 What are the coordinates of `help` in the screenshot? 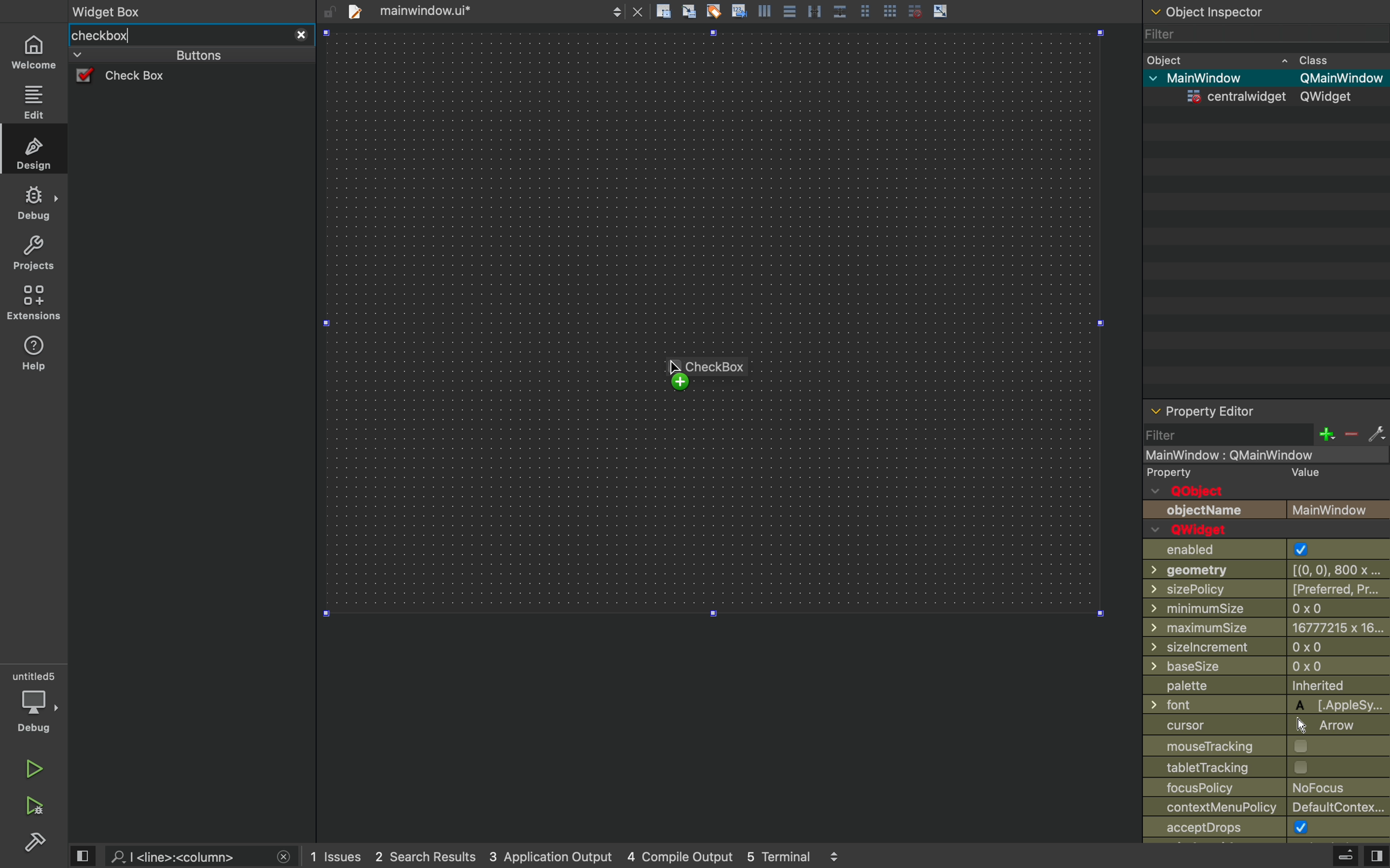 It's located at (33, 357).